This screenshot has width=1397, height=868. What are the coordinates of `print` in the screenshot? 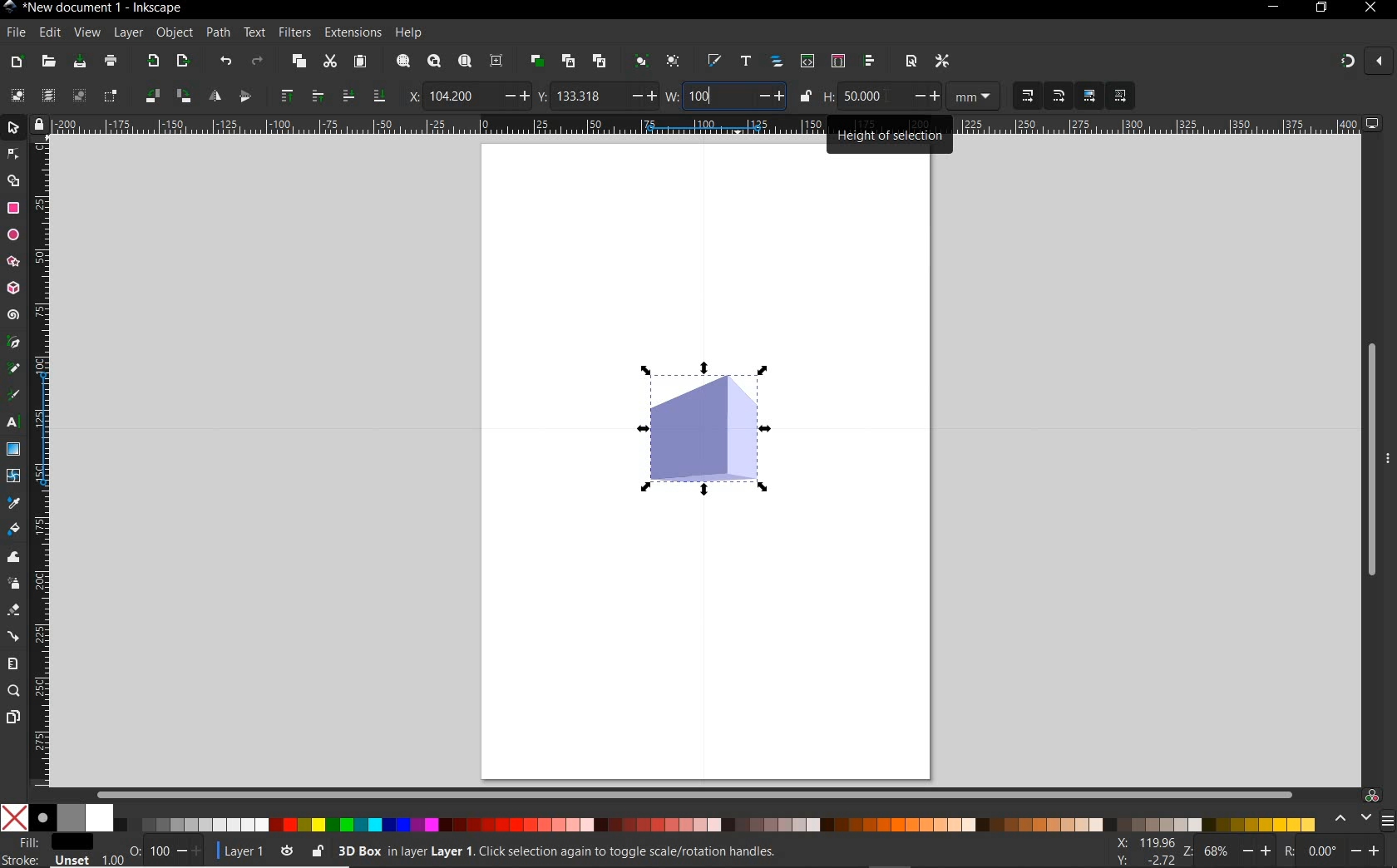 It's located at (111, 62).